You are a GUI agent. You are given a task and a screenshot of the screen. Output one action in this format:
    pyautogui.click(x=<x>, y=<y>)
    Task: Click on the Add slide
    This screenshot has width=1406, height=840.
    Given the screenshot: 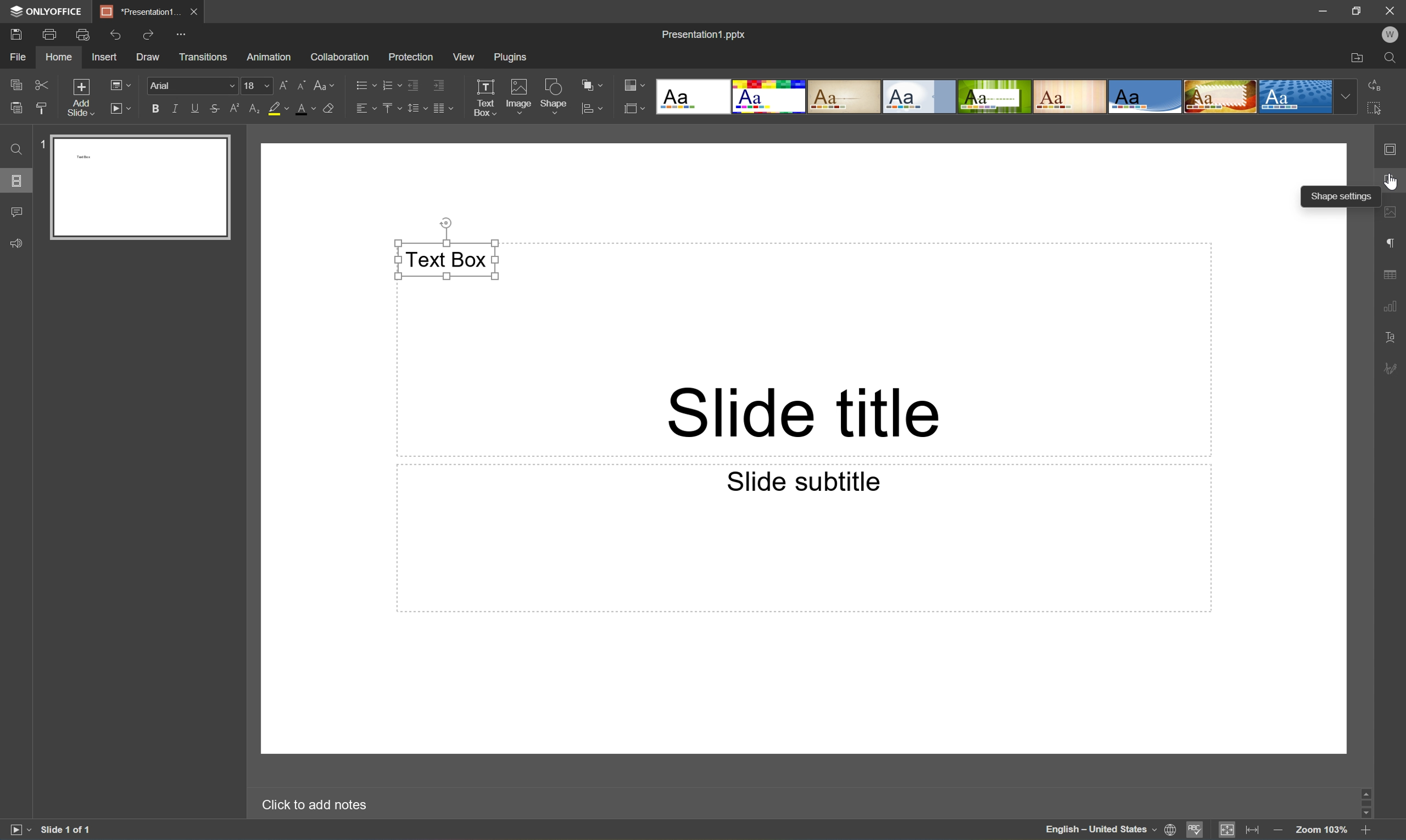 What is the action you would take?
    pyautogui.click(x=81, y=97)
    